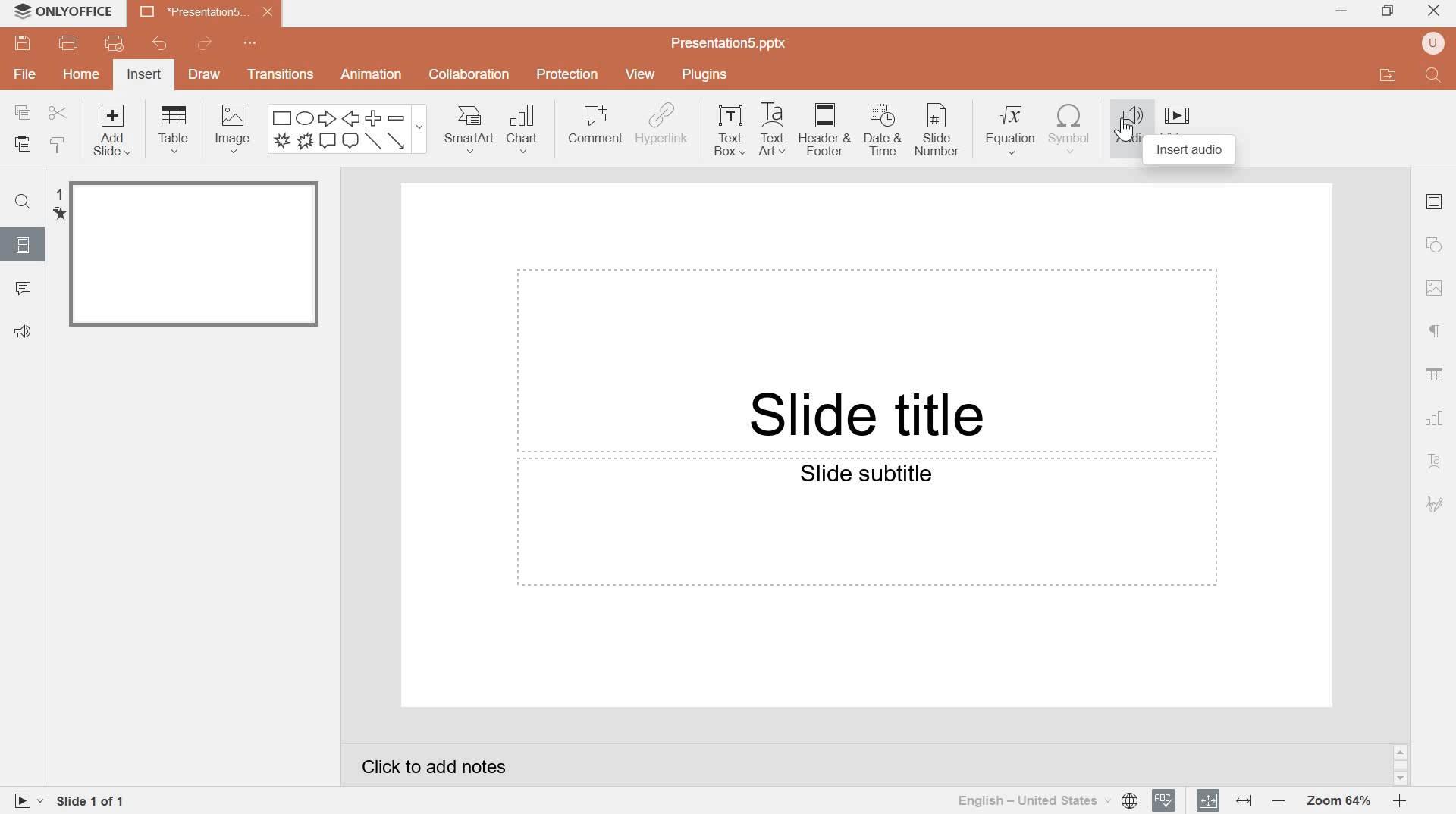 The height and width of the screenshot is (814, 1456). I want to click on paragraph settings, so click(1430, 332).